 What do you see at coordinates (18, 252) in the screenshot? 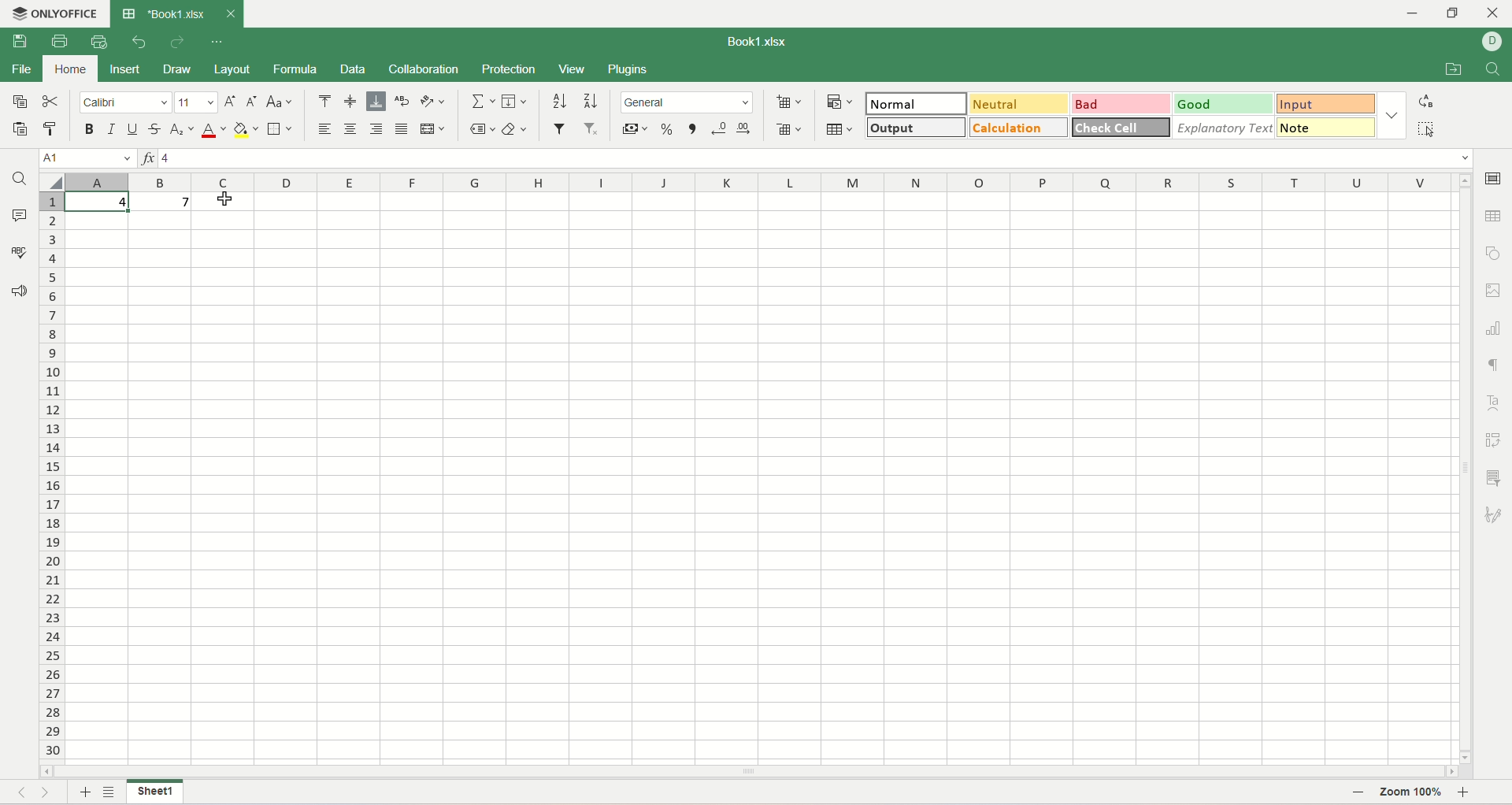
I see `spell check` at bounding box center [18, 252].